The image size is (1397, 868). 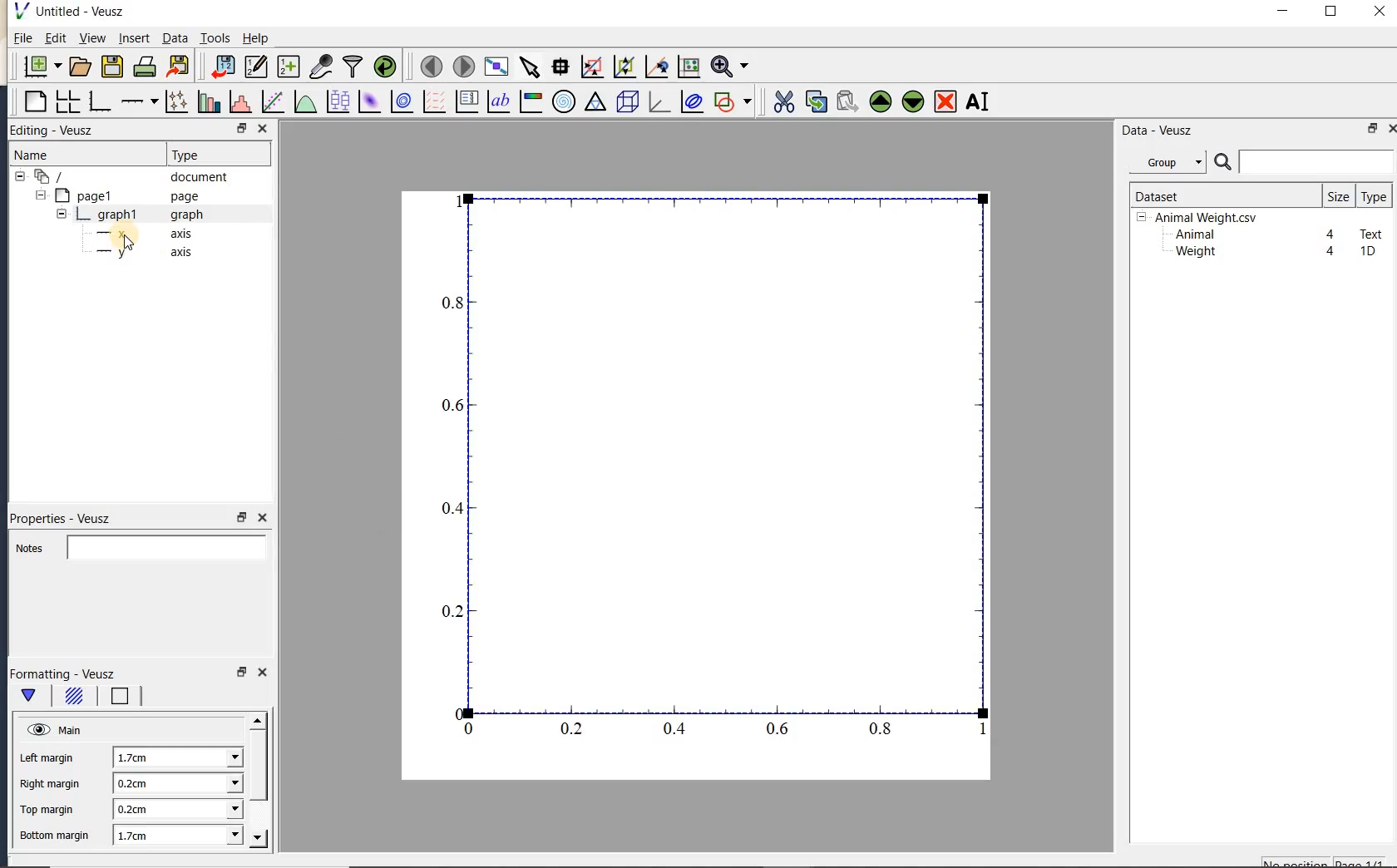 I want to click on read data points on the graph, so click(x=560, y=67).